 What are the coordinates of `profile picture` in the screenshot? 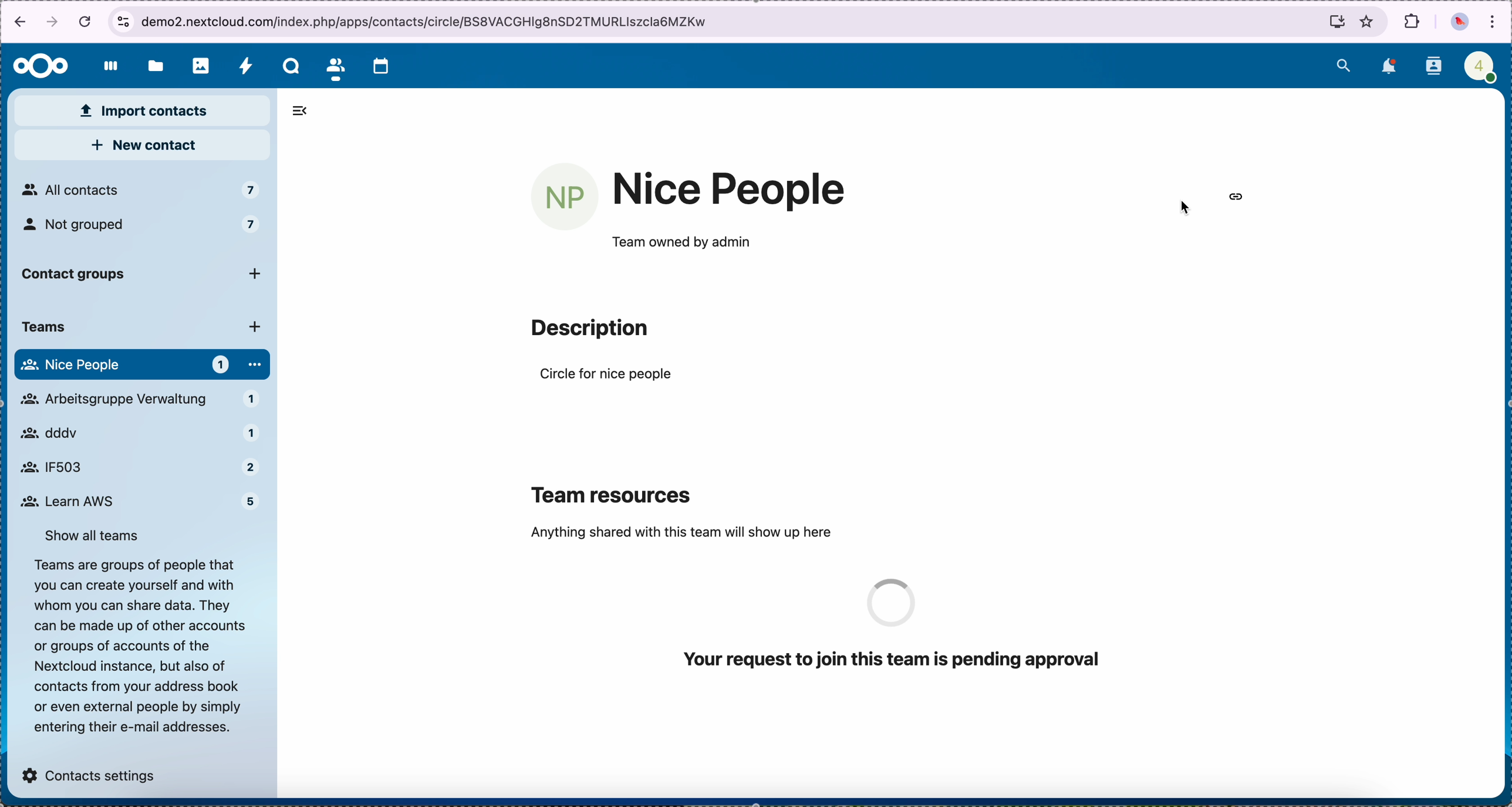 It's located at (565, 197).